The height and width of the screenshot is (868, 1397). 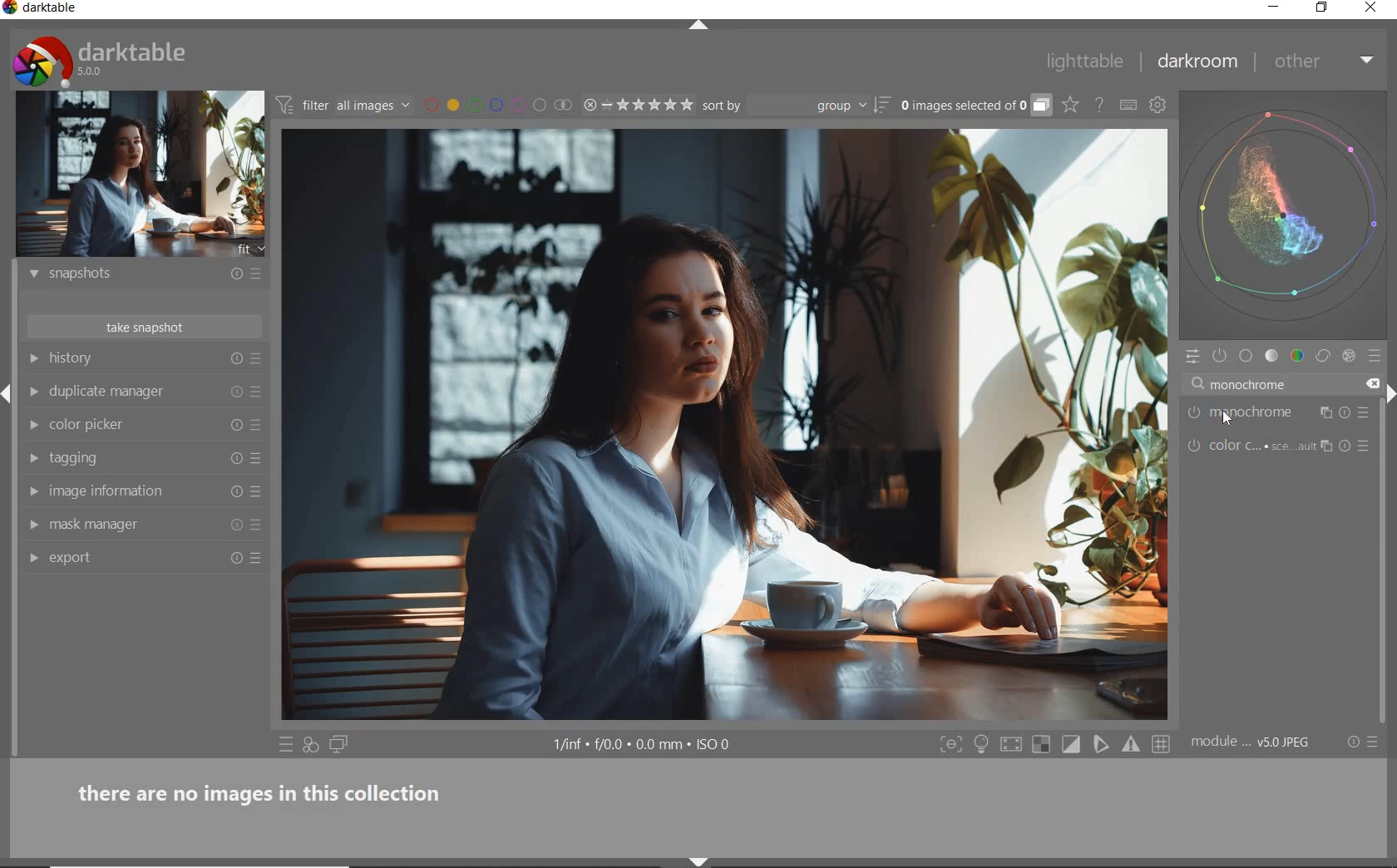 I want to click on color, so click(x=1296, y=357).